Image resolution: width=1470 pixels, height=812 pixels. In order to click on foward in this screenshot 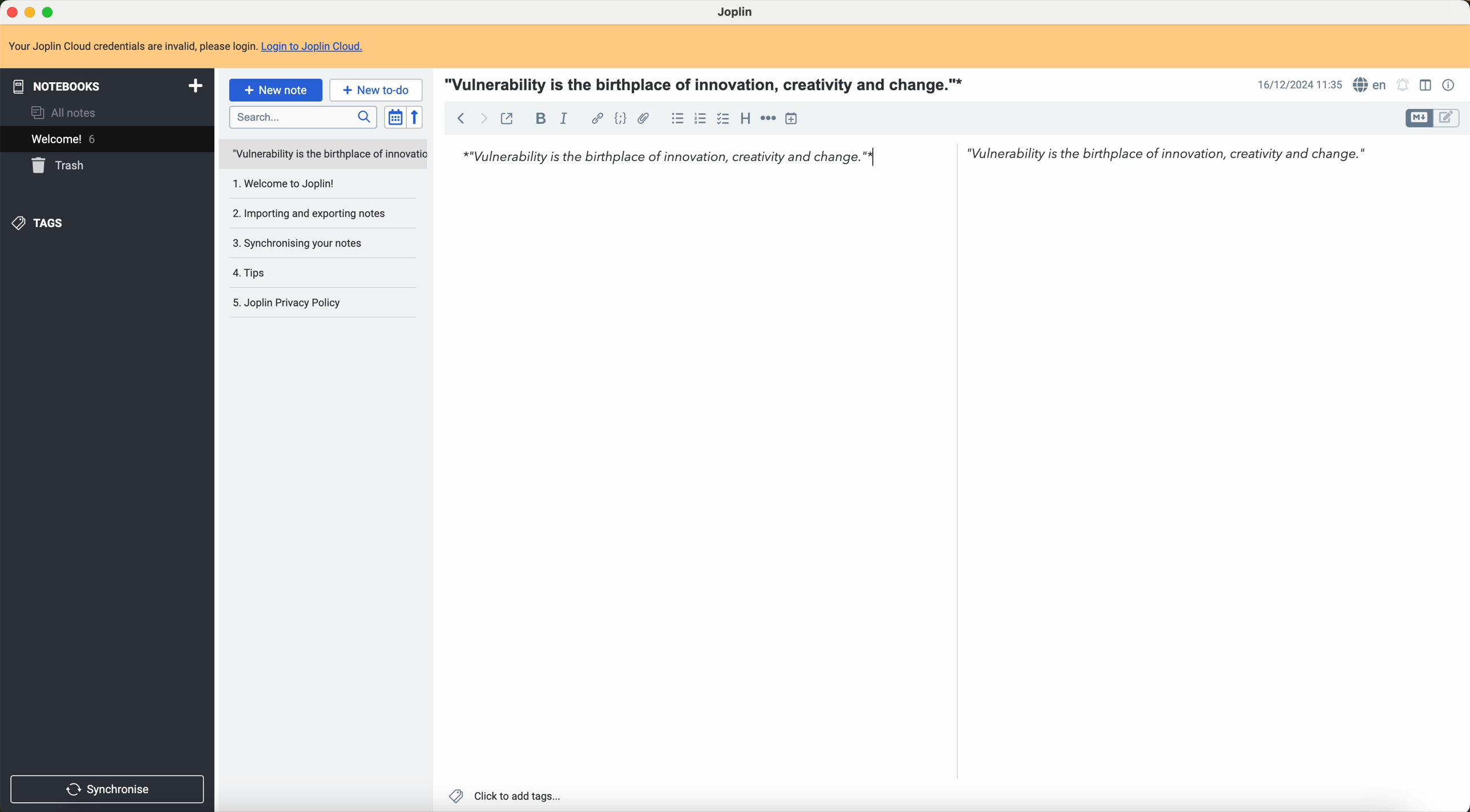, I will do `click(486, 119)`.